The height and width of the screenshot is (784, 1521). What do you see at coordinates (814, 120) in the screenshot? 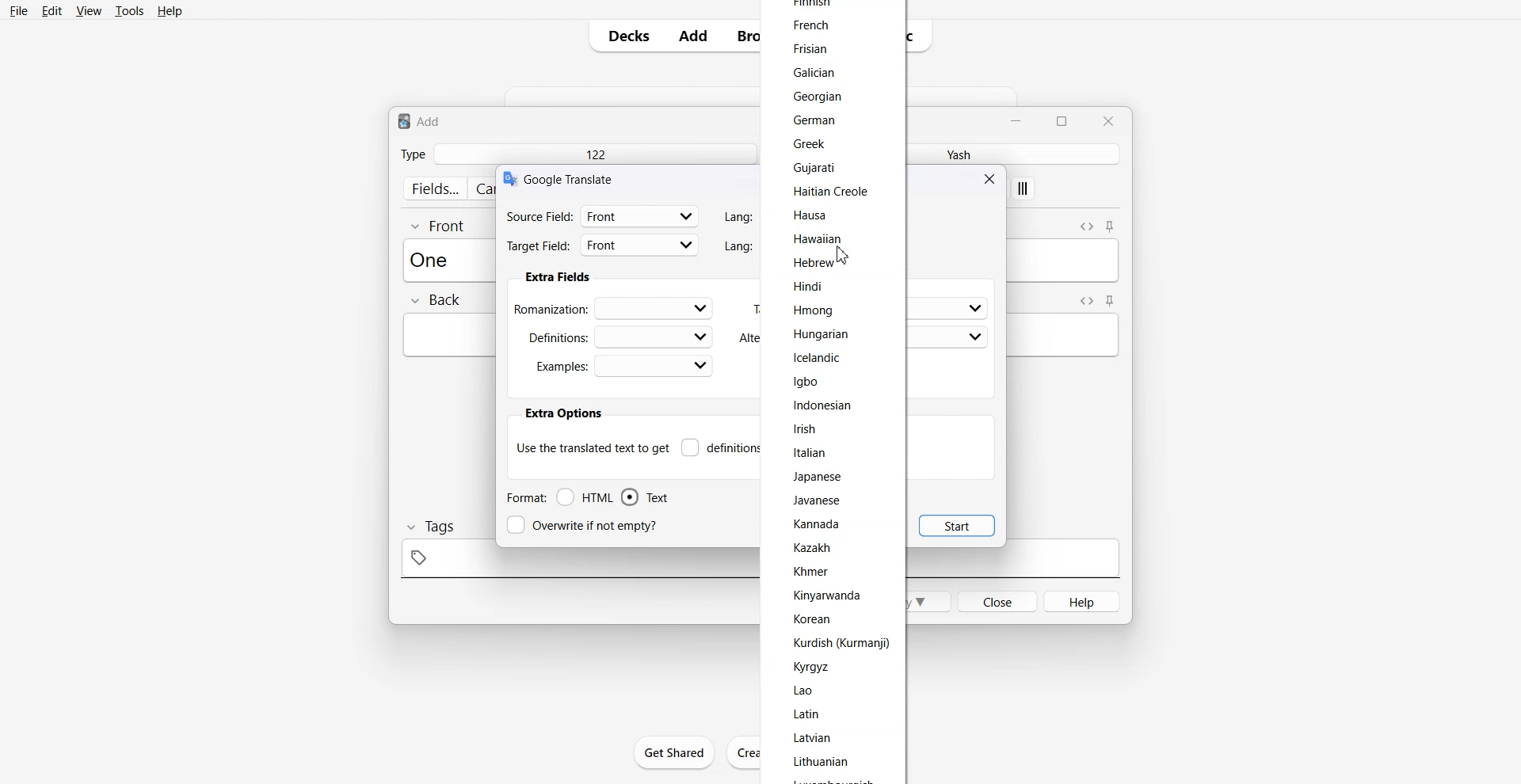
I see `German` at bounding box center [814, 120].